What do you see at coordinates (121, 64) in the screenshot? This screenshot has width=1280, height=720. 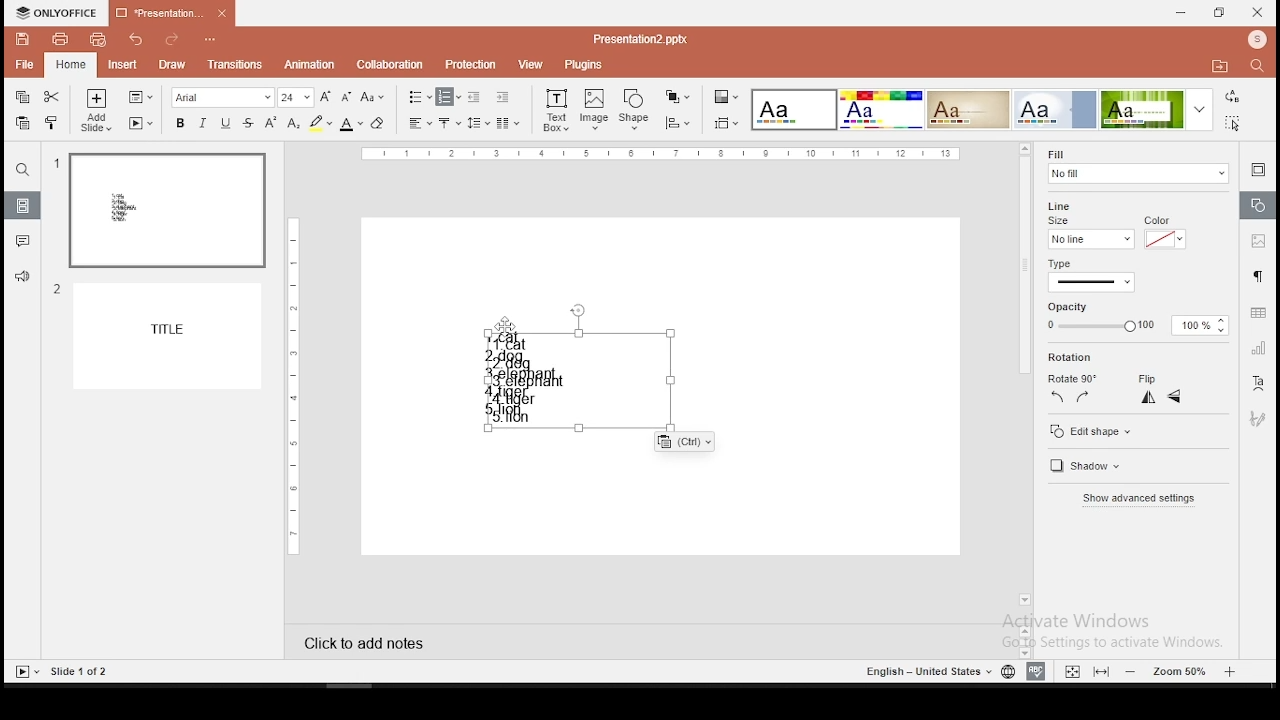 I see `insert` at bounding box center [121, 64].